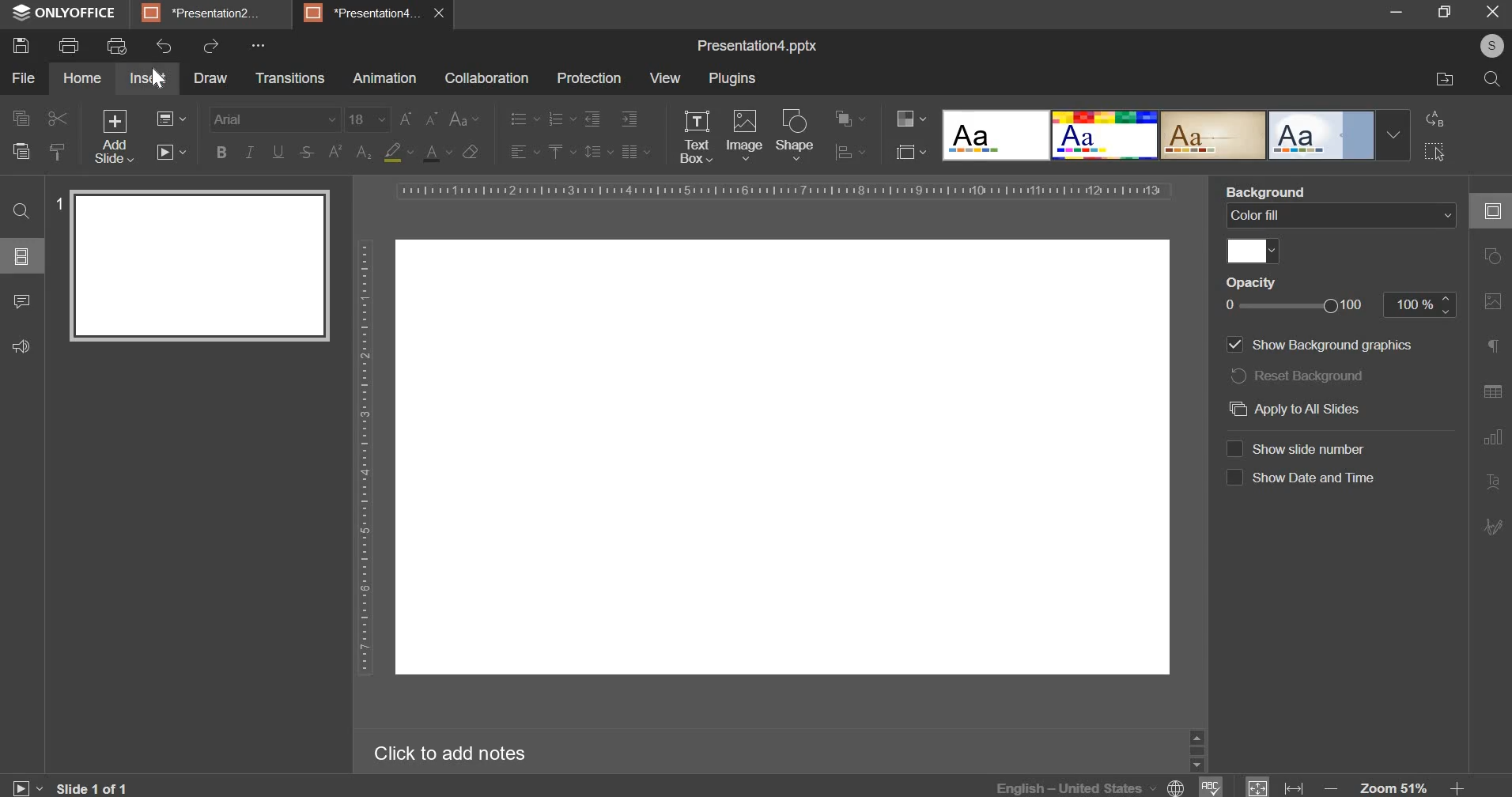 Image resolution: width=1512 pixels, height=797 pixels. What do you see at coordinates (630, 119) in the screenshot?
I see `increase indent` at bounding box center [630, 119].